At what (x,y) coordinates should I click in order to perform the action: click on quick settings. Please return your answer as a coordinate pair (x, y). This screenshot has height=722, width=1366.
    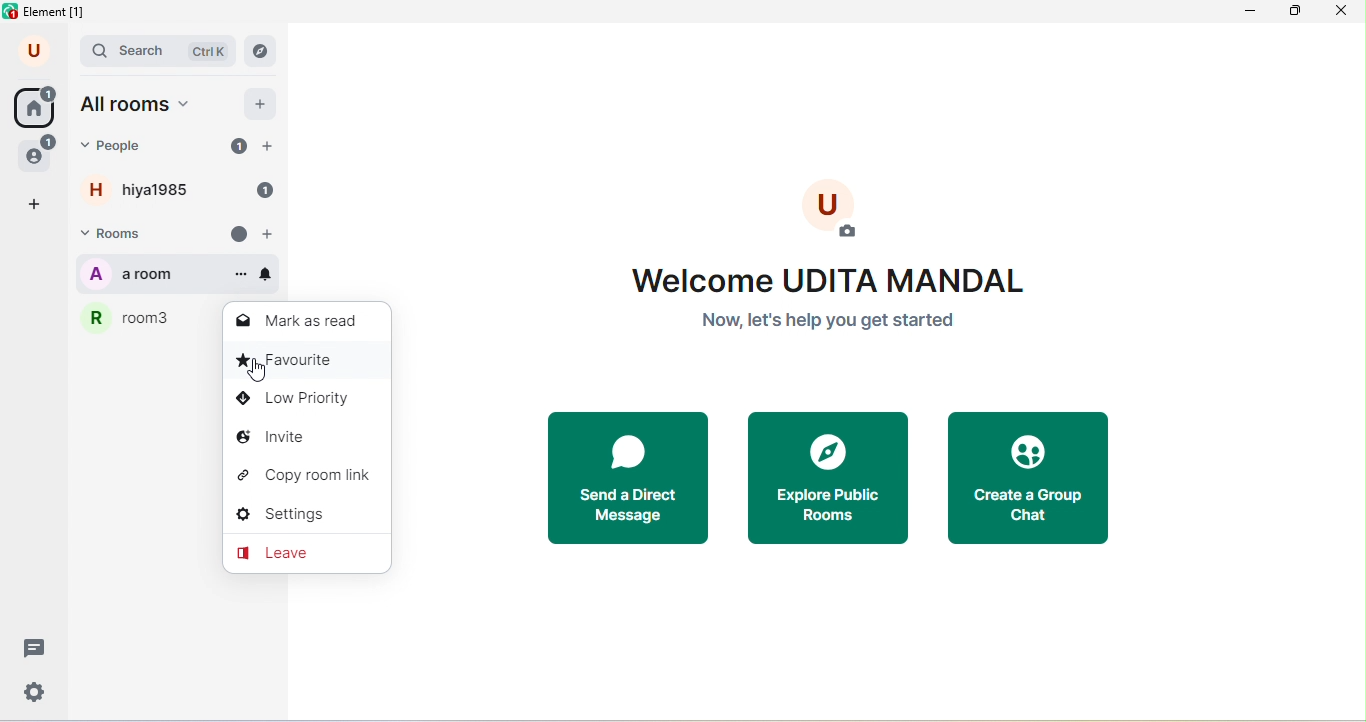
    Looking at the image, I should click on (36, 692).